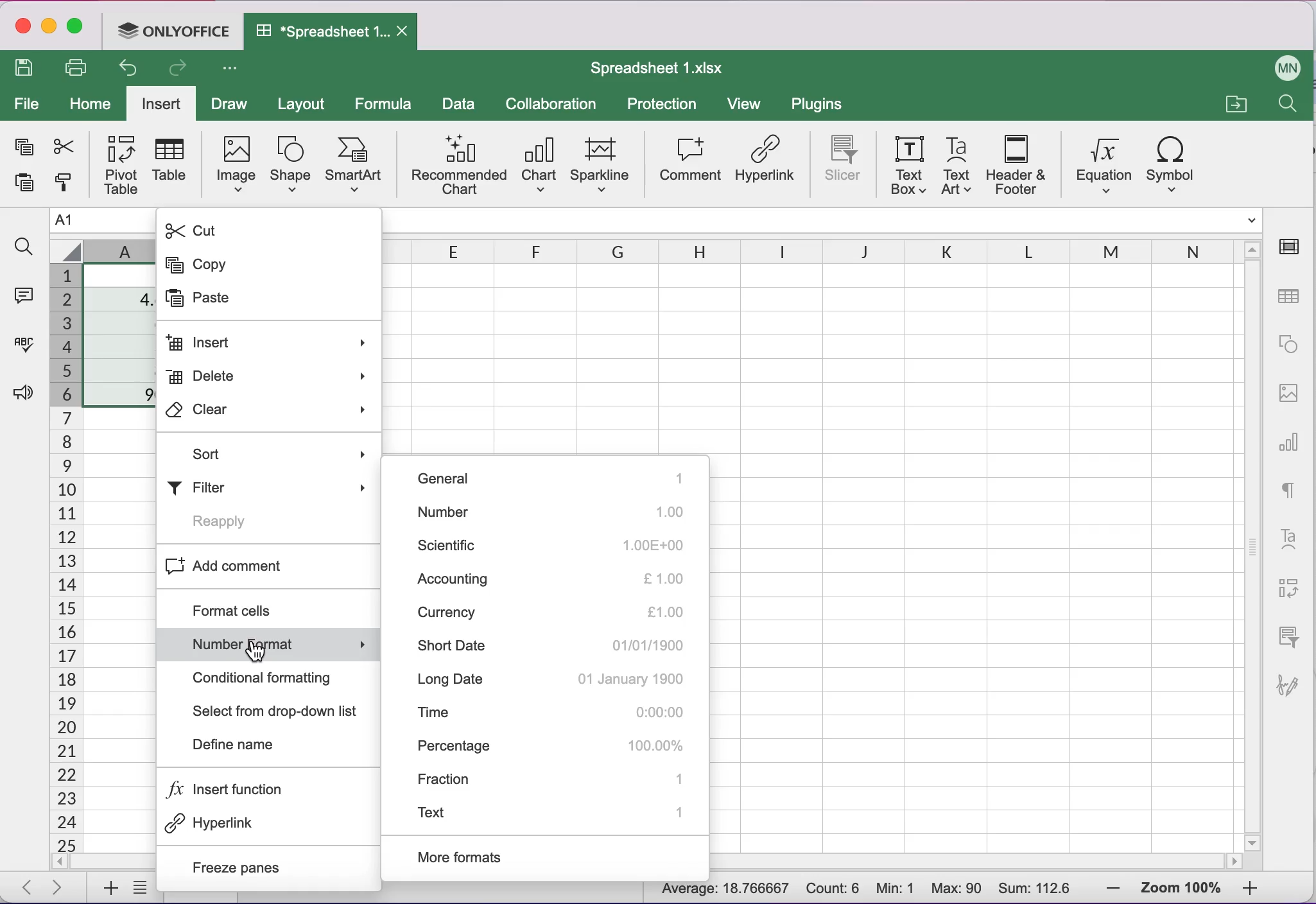  Describe the element at coordinates (560, 476) in the screenshot. I see `general` at that location.